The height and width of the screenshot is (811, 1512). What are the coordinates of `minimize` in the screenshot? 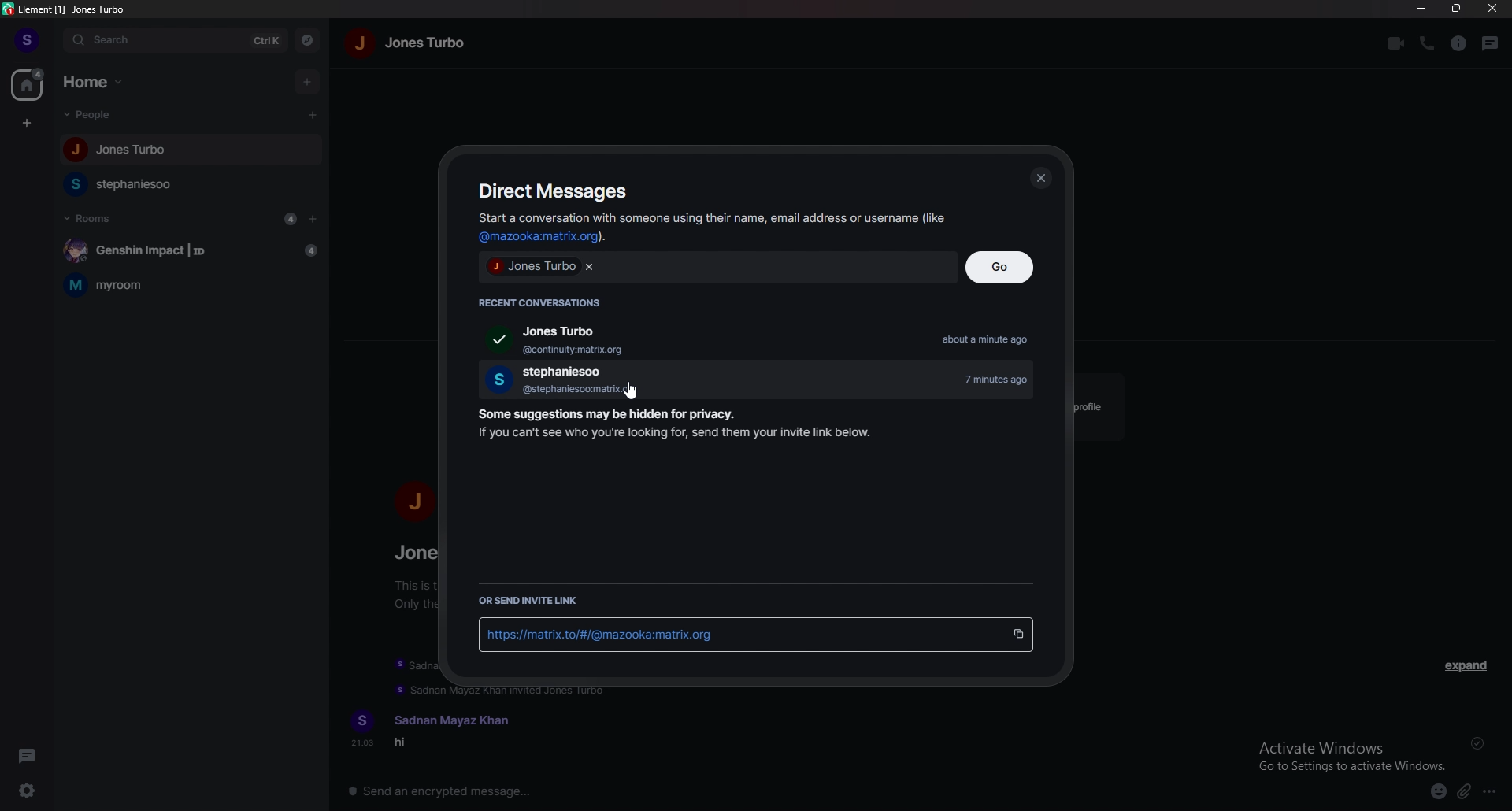 It's located at (1422, 8).